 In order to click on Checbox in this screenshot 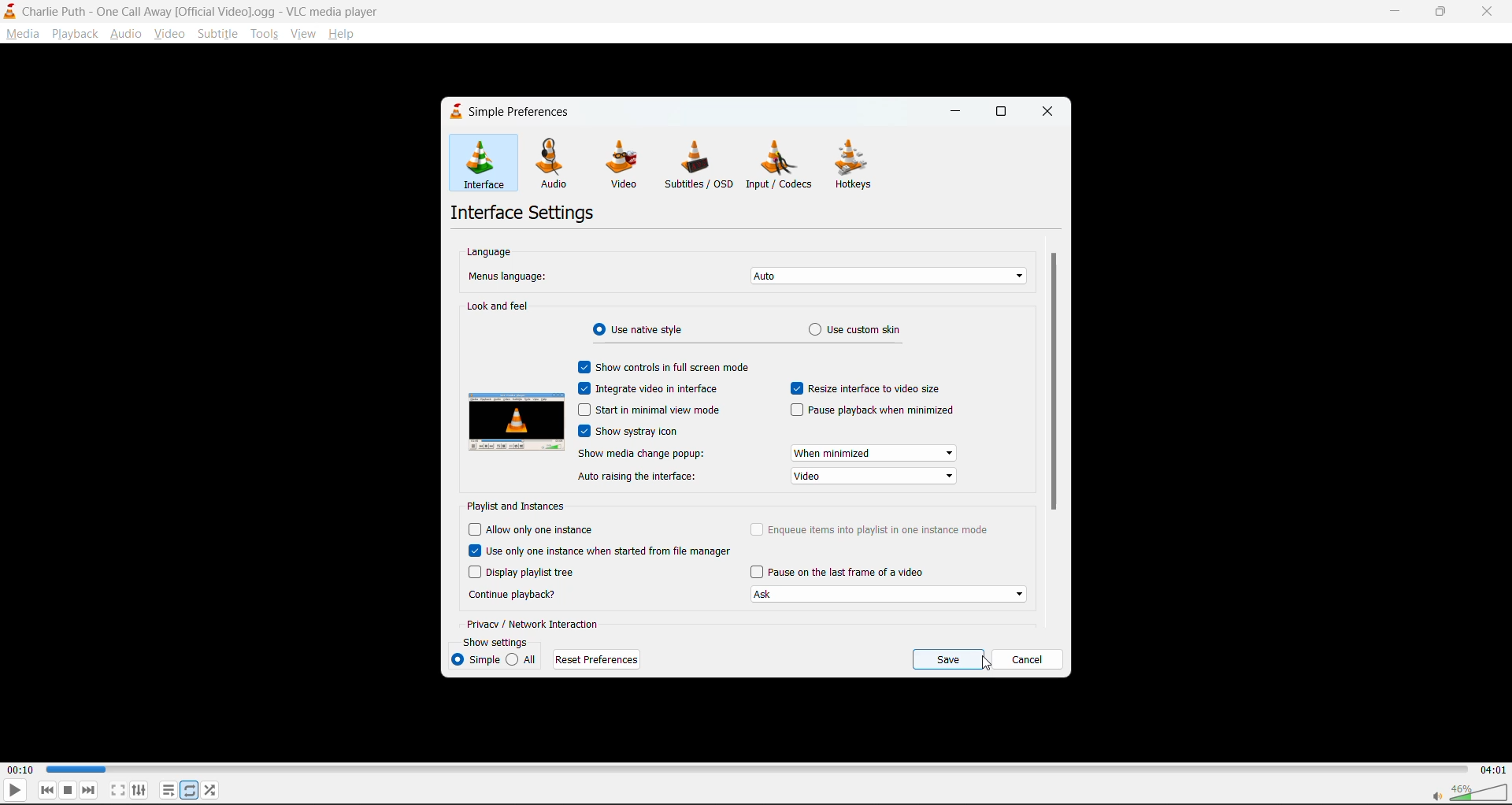, I will do `click(755, 572)`.